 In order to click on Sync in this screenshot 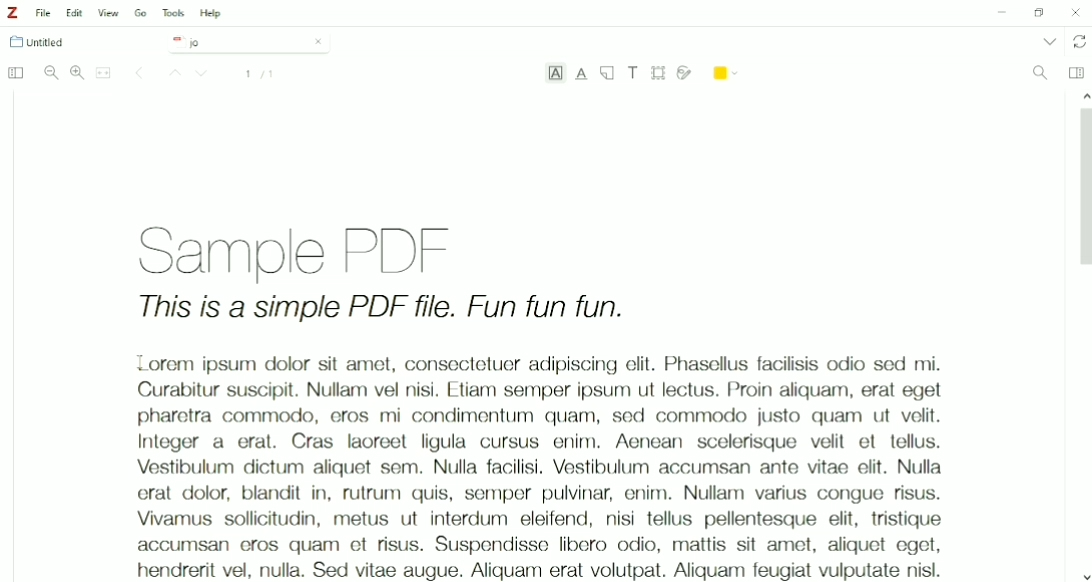, I will do `click(1080, 42)`.